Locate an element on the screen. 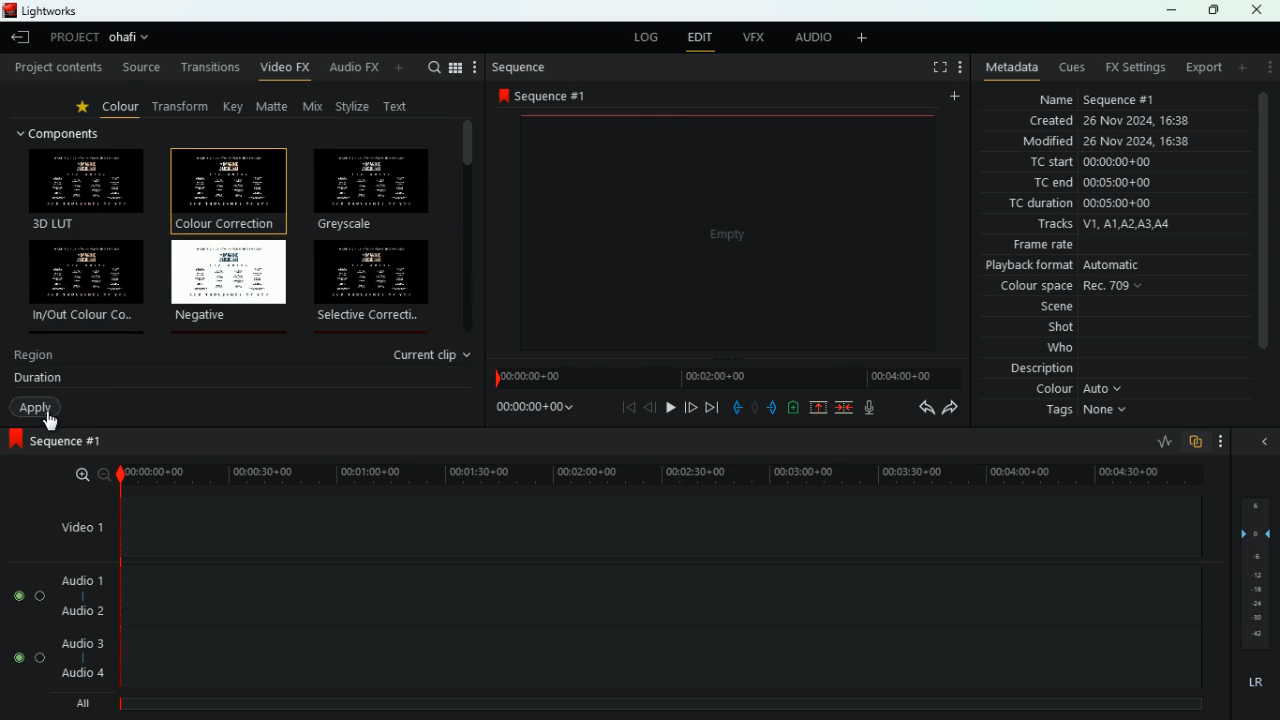  current clip is located at coordinates (434, 355).